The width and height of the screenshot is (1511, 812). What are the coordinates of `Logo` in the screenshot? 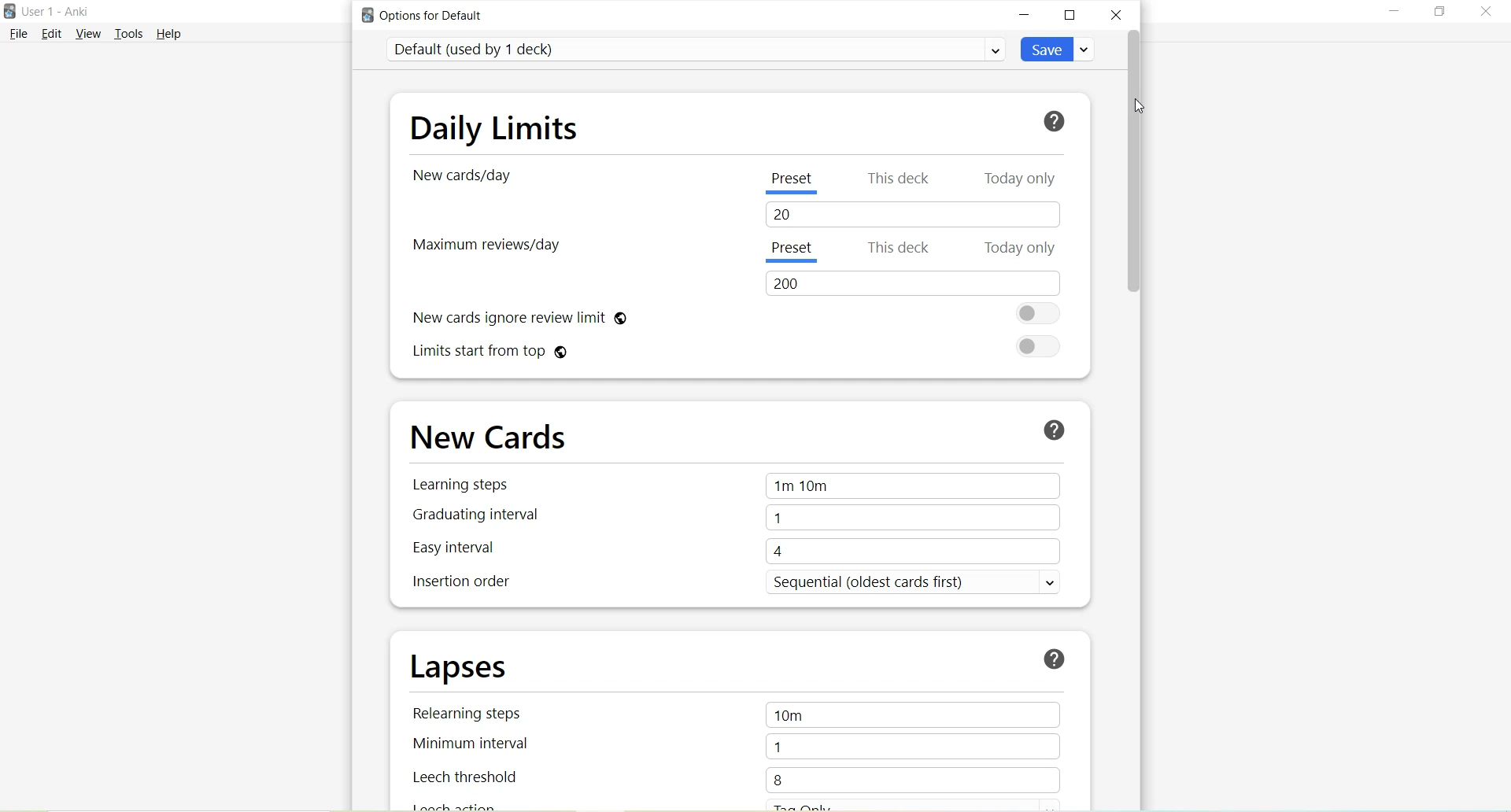 It's located at (9, 12).